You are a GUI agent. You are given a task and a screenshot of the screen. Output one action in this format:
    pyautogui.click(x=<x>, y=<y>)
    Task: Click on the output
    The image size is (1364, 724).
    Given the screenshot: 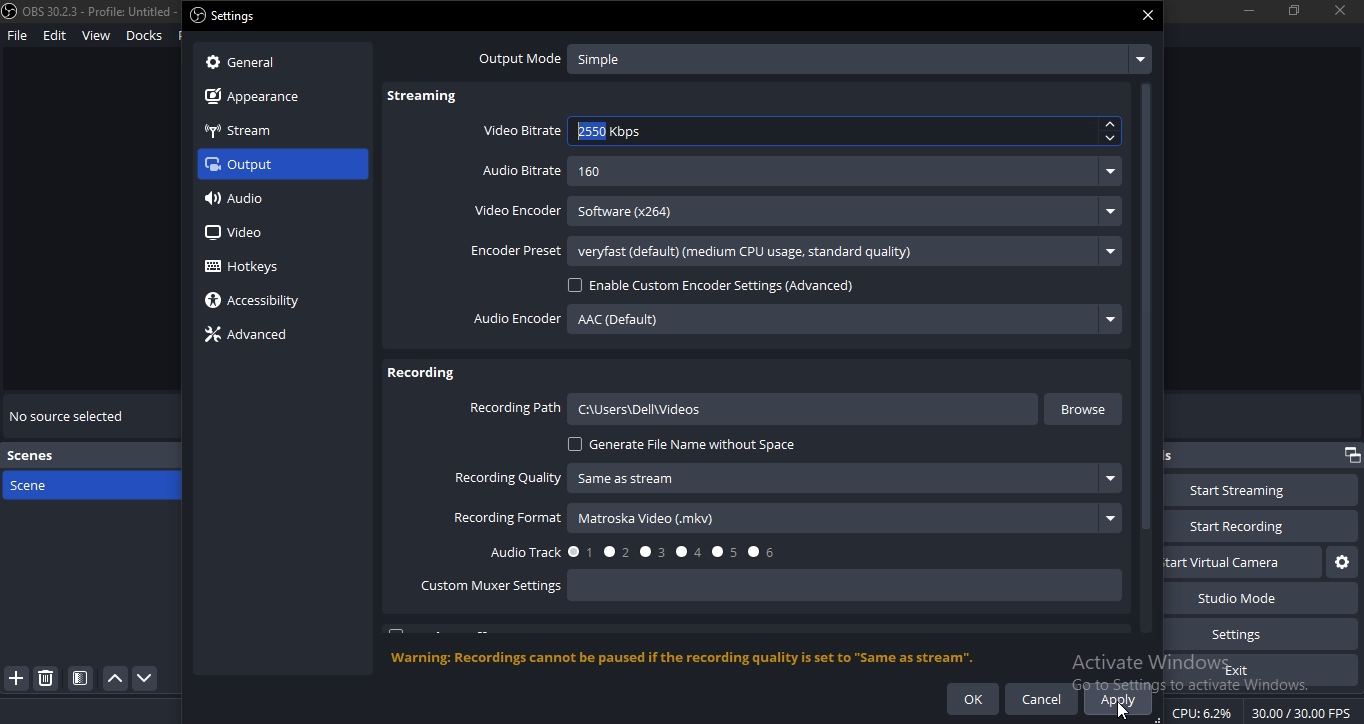 What is the action you would take?
    pyautogui.click(x=271, y=164)
    